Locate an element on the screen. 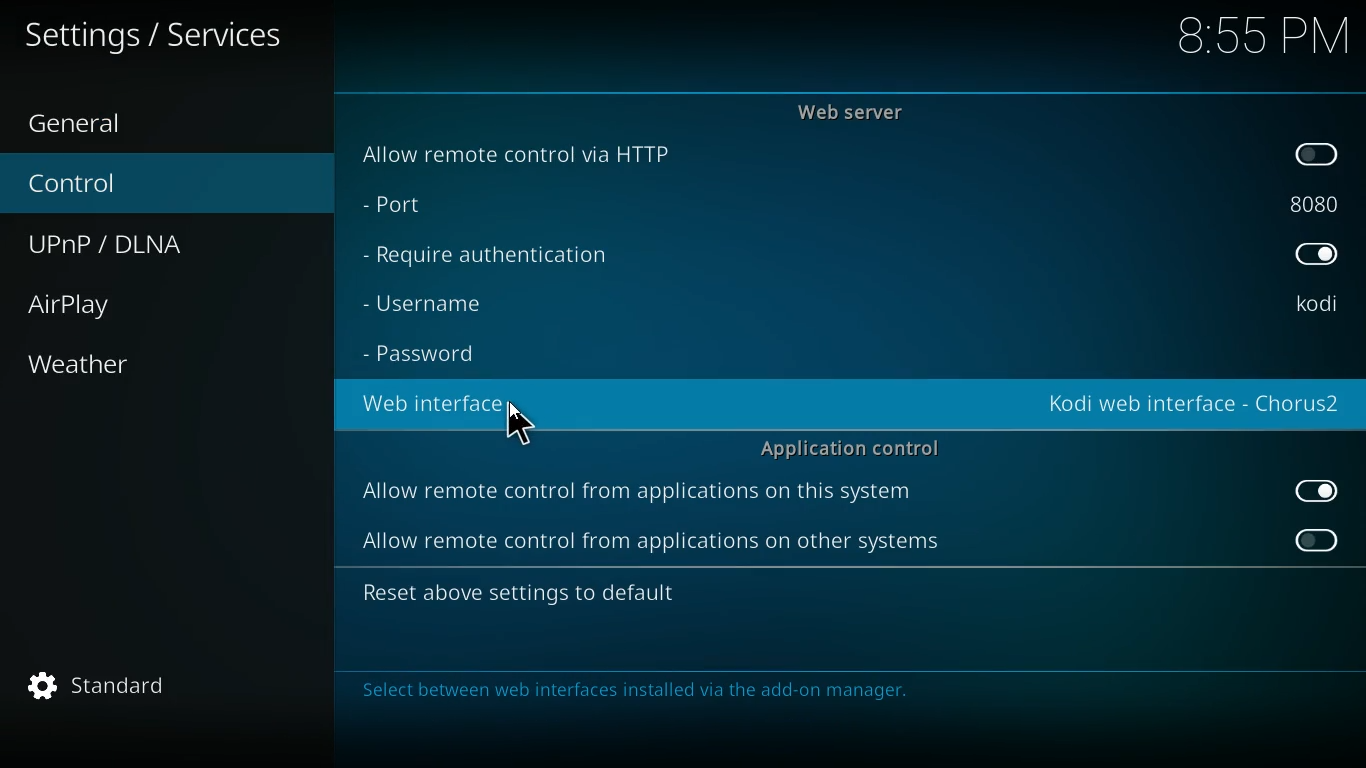 This screenshot has height=768, width=1366. port is located at coordinates (424, 207).